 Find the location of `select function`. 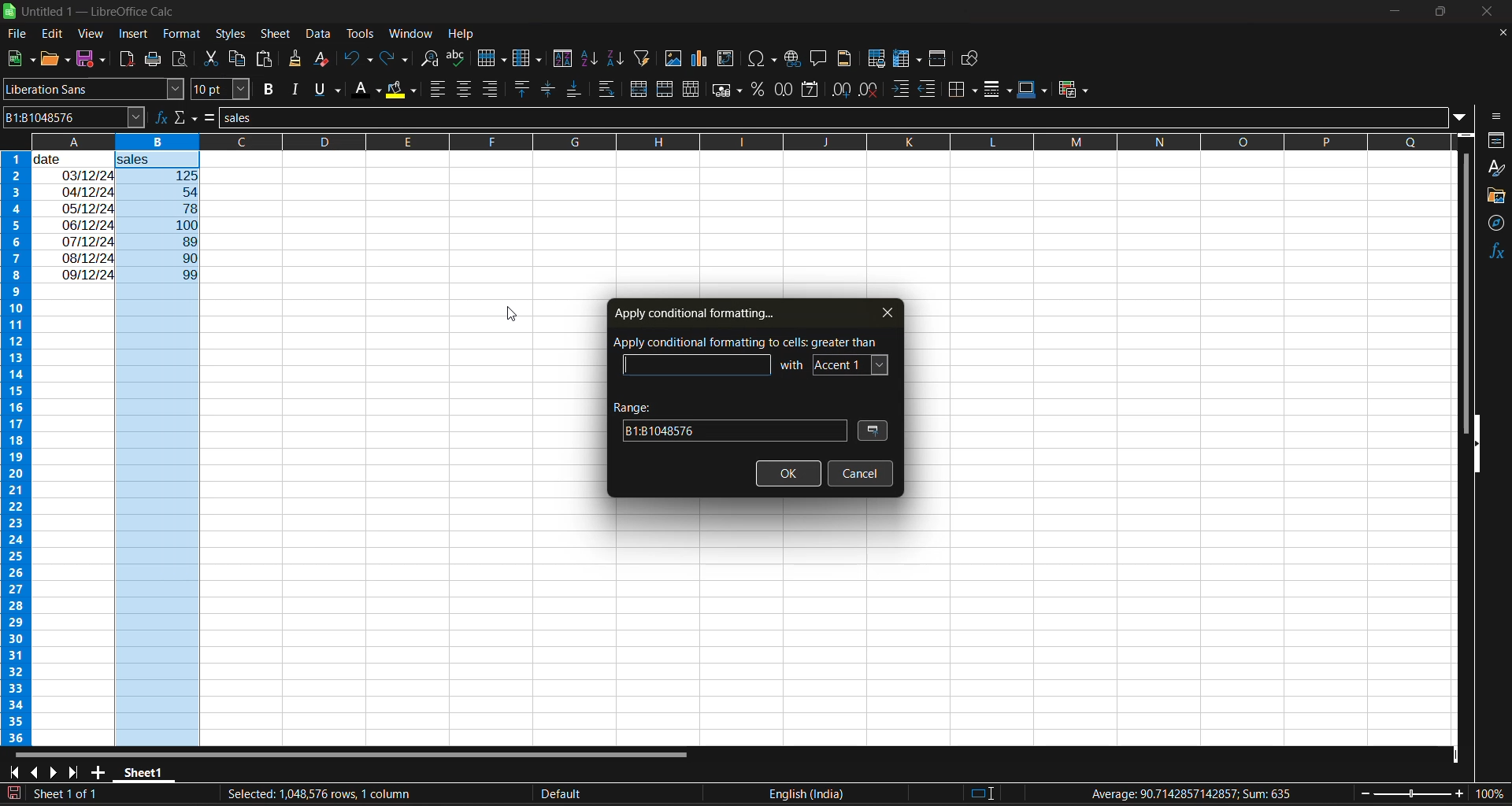

select function is located at coordinates (187, 117).